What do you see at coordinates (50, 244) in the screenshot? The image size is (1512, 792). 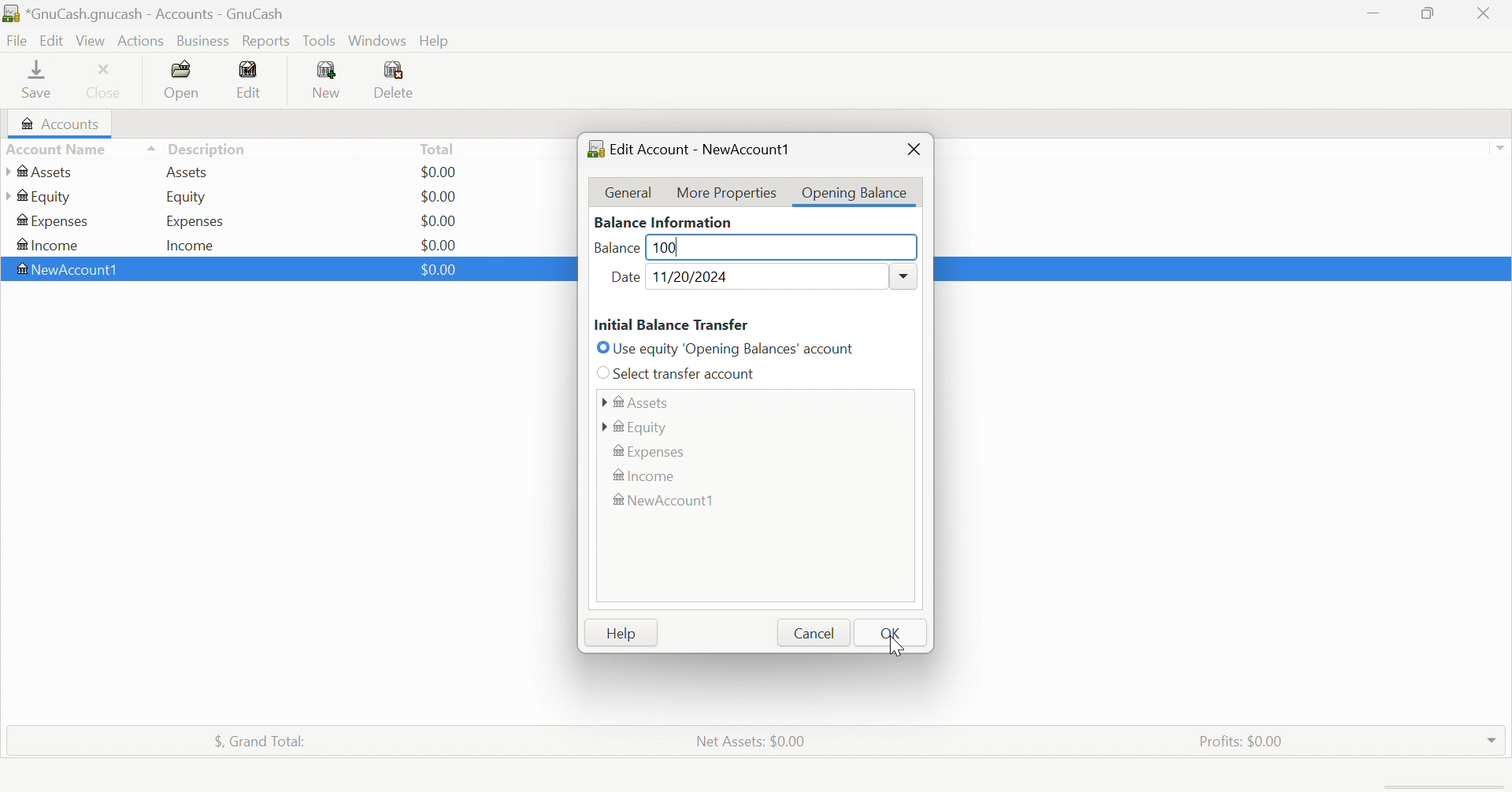 I see `Income` at bounding box center [50, 244].